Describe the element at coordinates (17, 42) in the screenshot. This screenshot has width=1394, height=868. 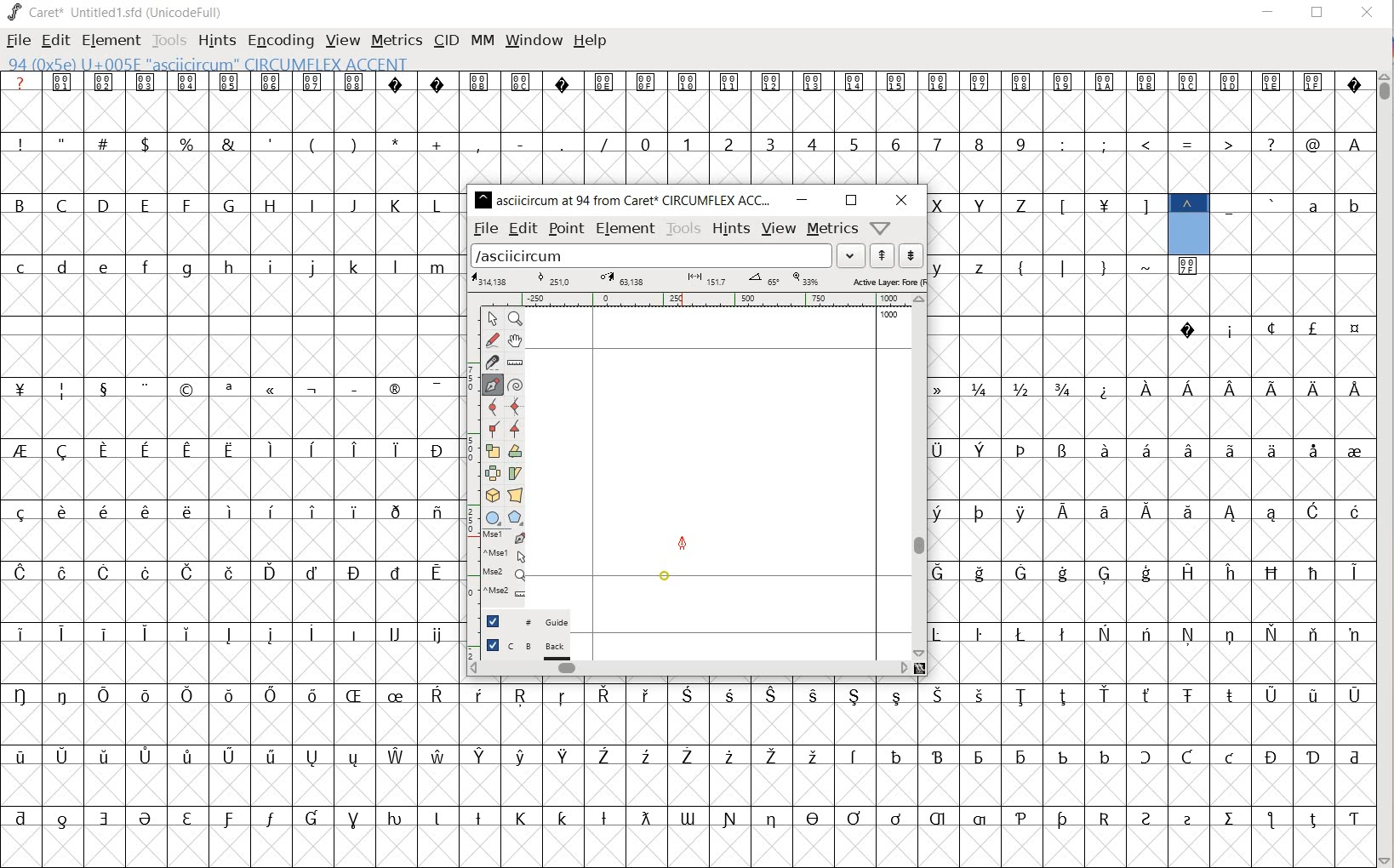
I see `FILE` at that location.